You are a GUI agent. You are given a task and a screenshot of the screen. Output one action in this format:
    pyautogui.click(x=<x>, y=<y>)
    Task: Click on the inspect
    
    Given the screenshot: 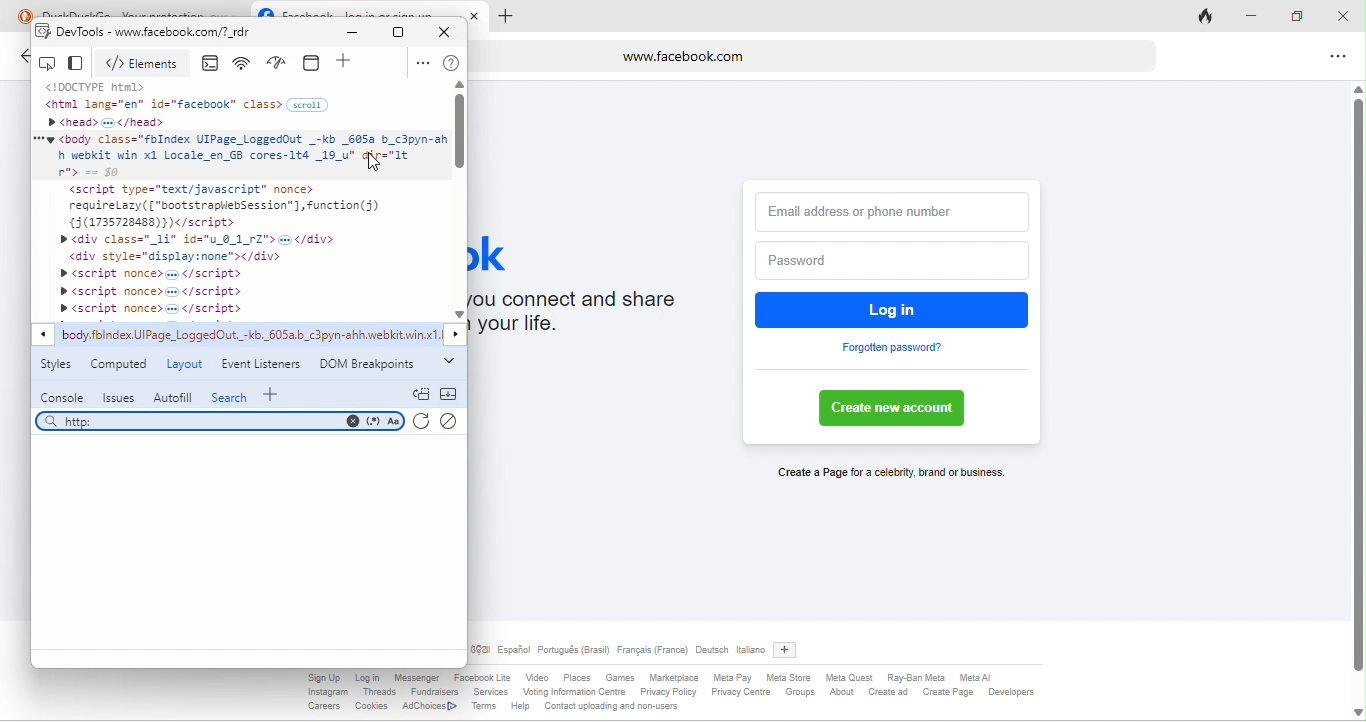 What is the action you would take?
    pyautogui.click(x=50, y=63)
    